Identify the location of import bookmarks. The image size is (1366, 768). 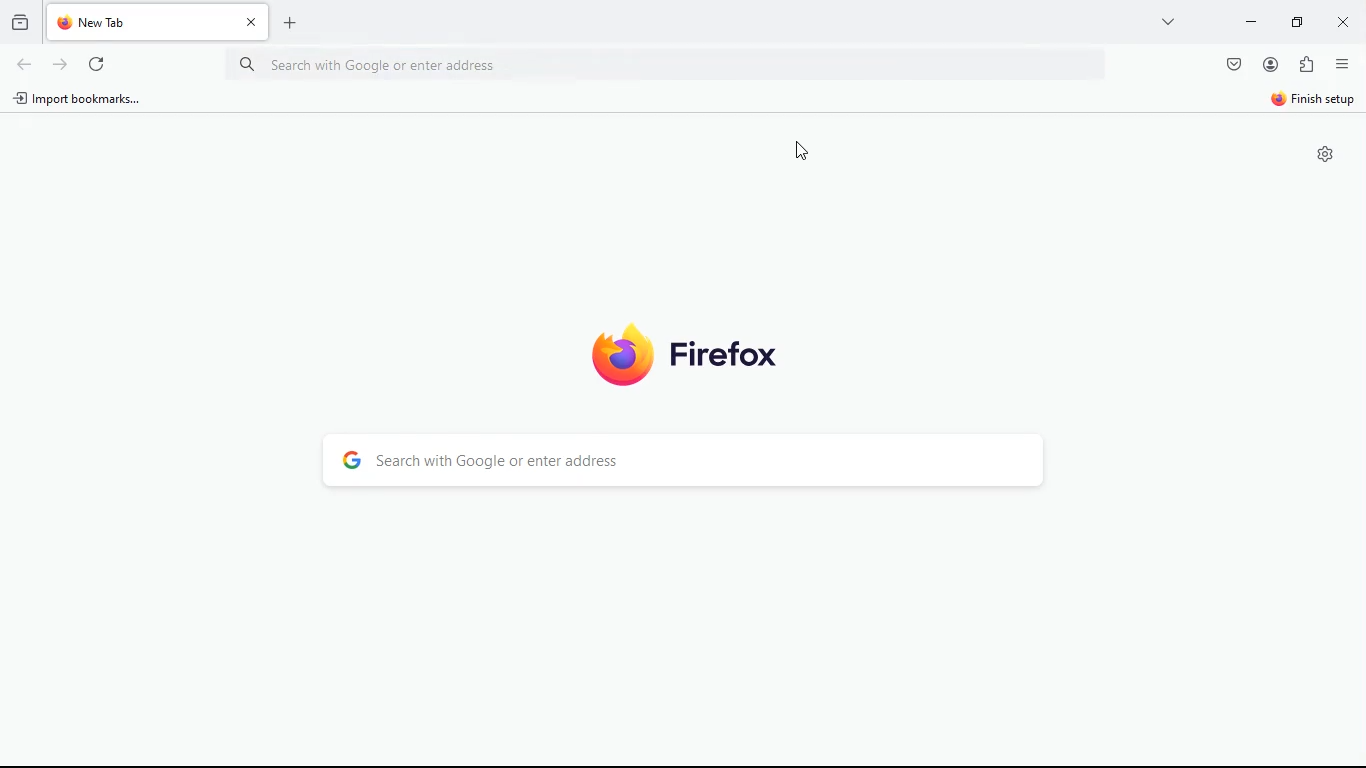
(83, 100).